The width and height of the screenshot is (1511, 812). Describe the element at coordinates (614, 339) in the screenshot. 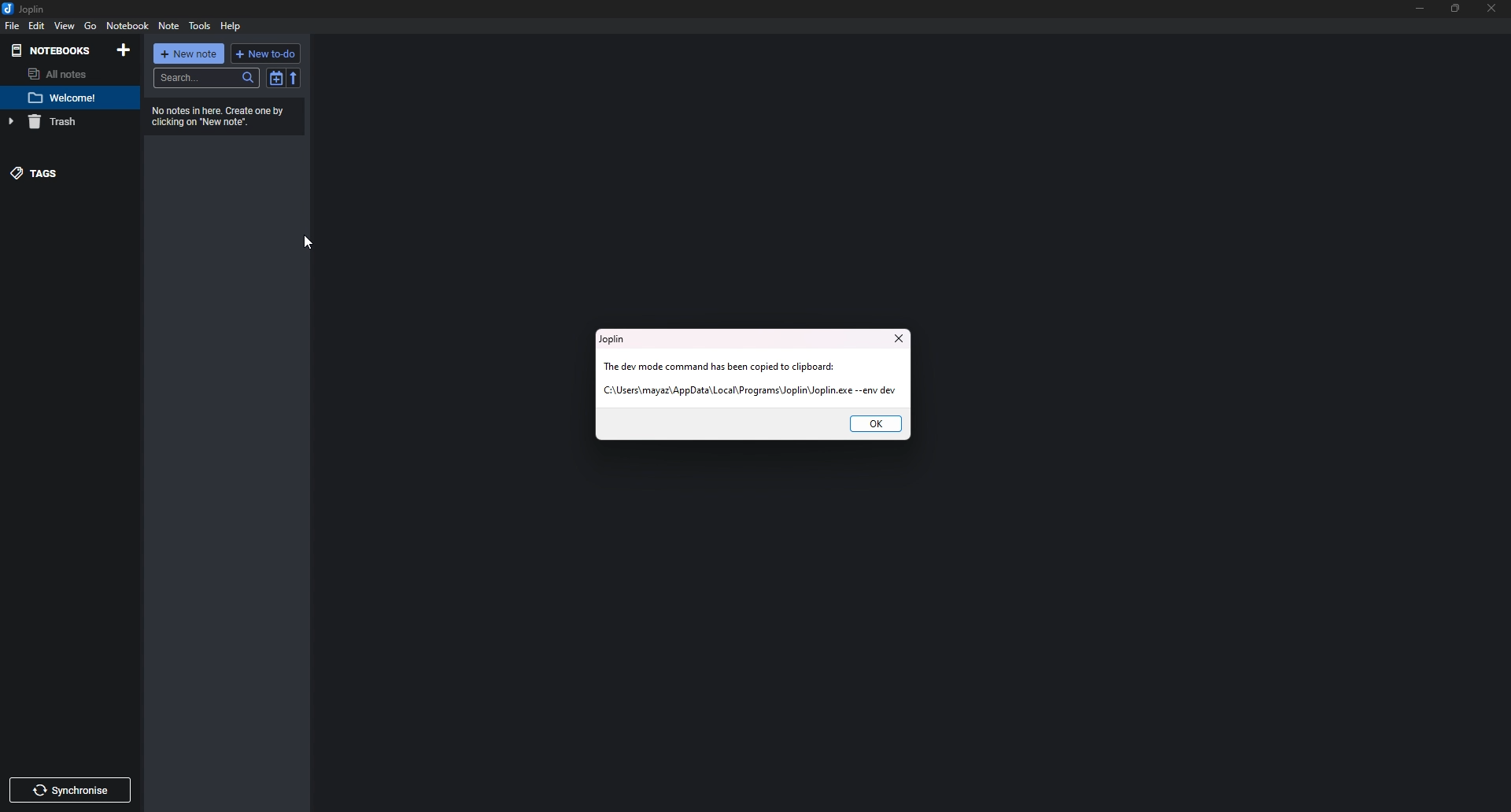

I see `Joplin` at that location.